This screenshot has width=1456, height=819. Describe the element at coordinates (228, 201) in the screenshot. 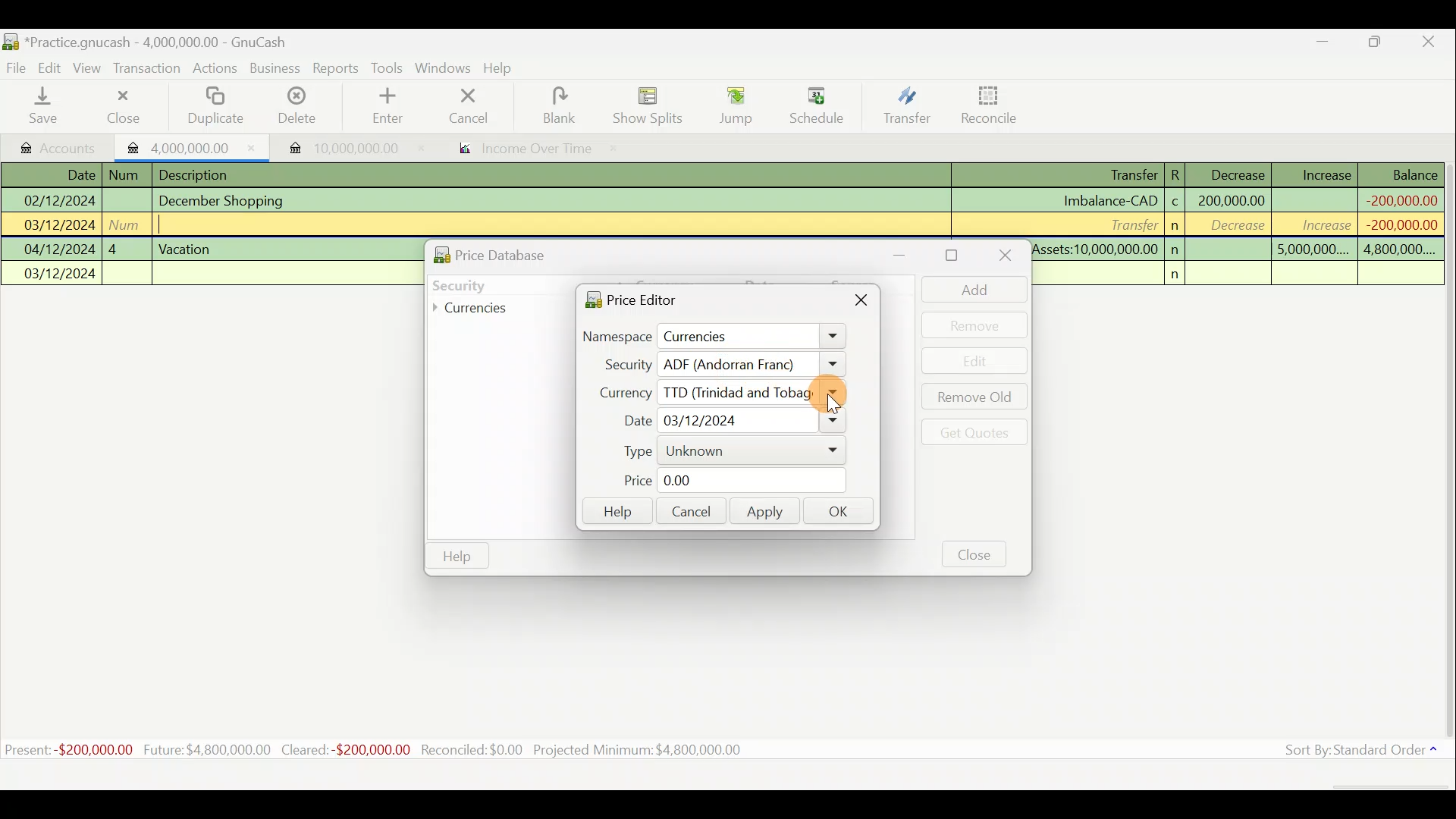

I see `December Shopping` at that location.